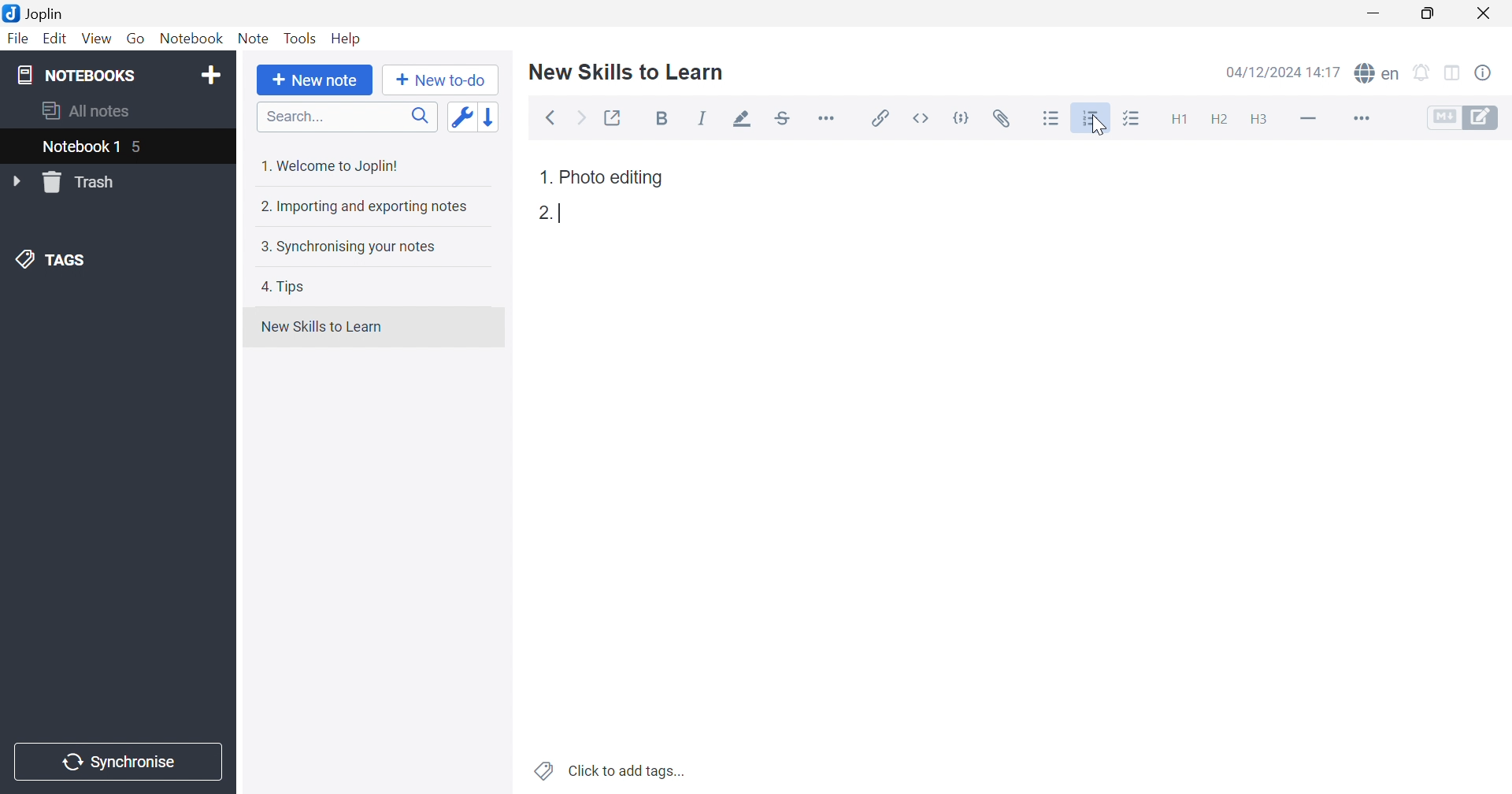 The image size is (1512, 794). What do you see at coordinates (347, 117) in the screenshot?
I see `Search...` at bounding box center [347, 117].